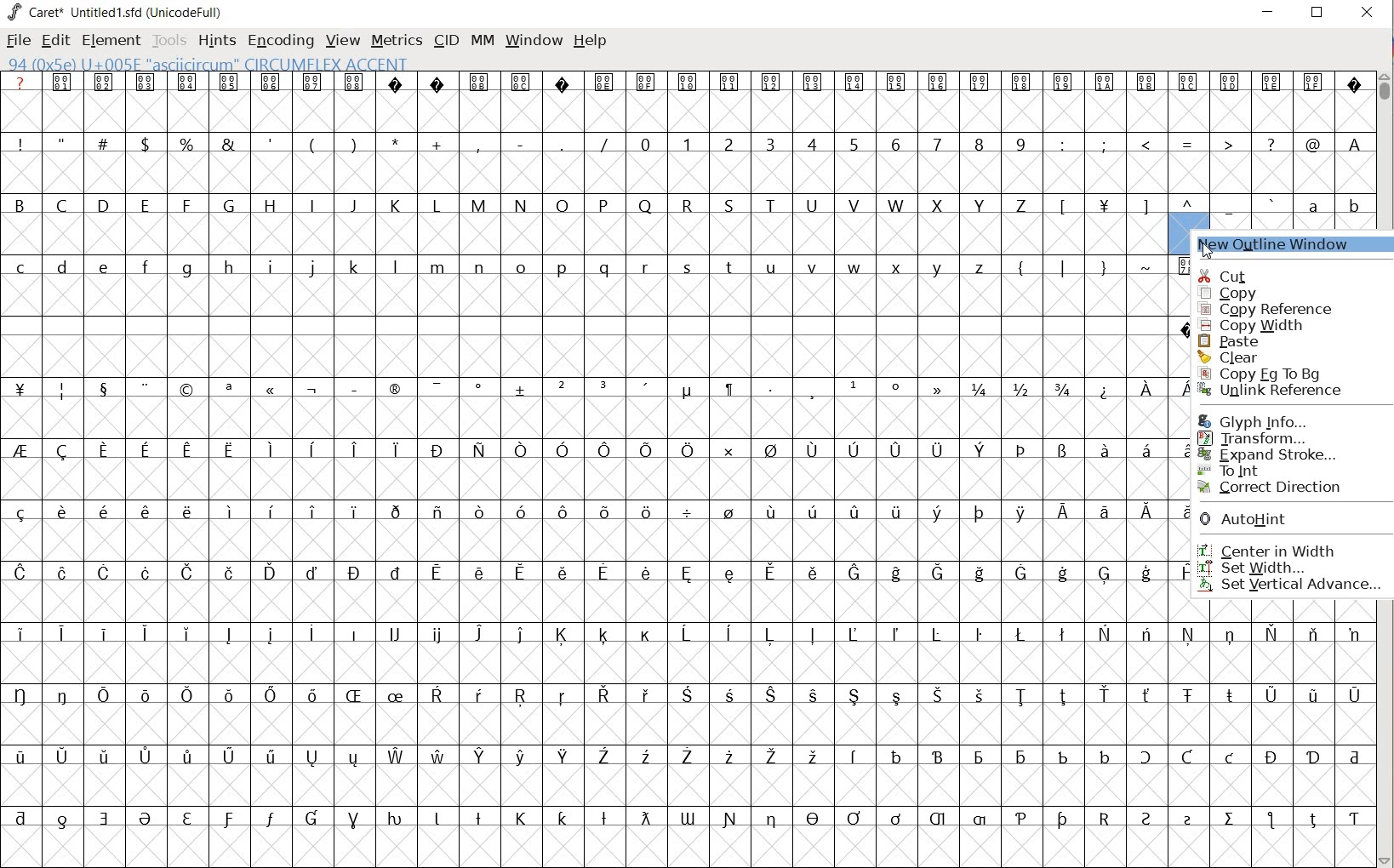  Describe the element at coordinates (1281, 521) in the screenshot. I see `AutoHint` at that location.